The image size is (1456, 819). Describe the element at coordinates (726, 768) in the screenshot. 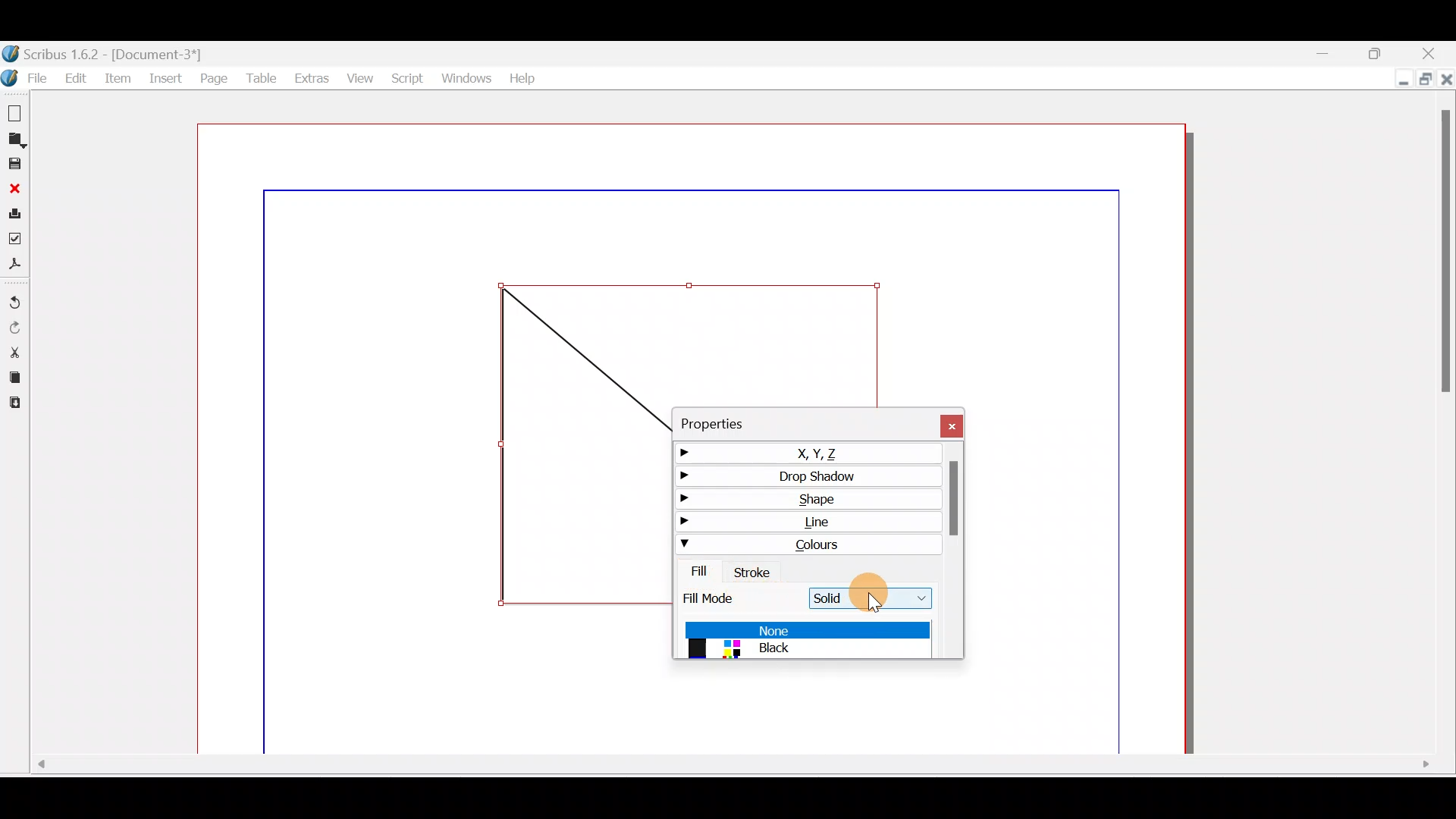

I see `Scroll bar` at that location.